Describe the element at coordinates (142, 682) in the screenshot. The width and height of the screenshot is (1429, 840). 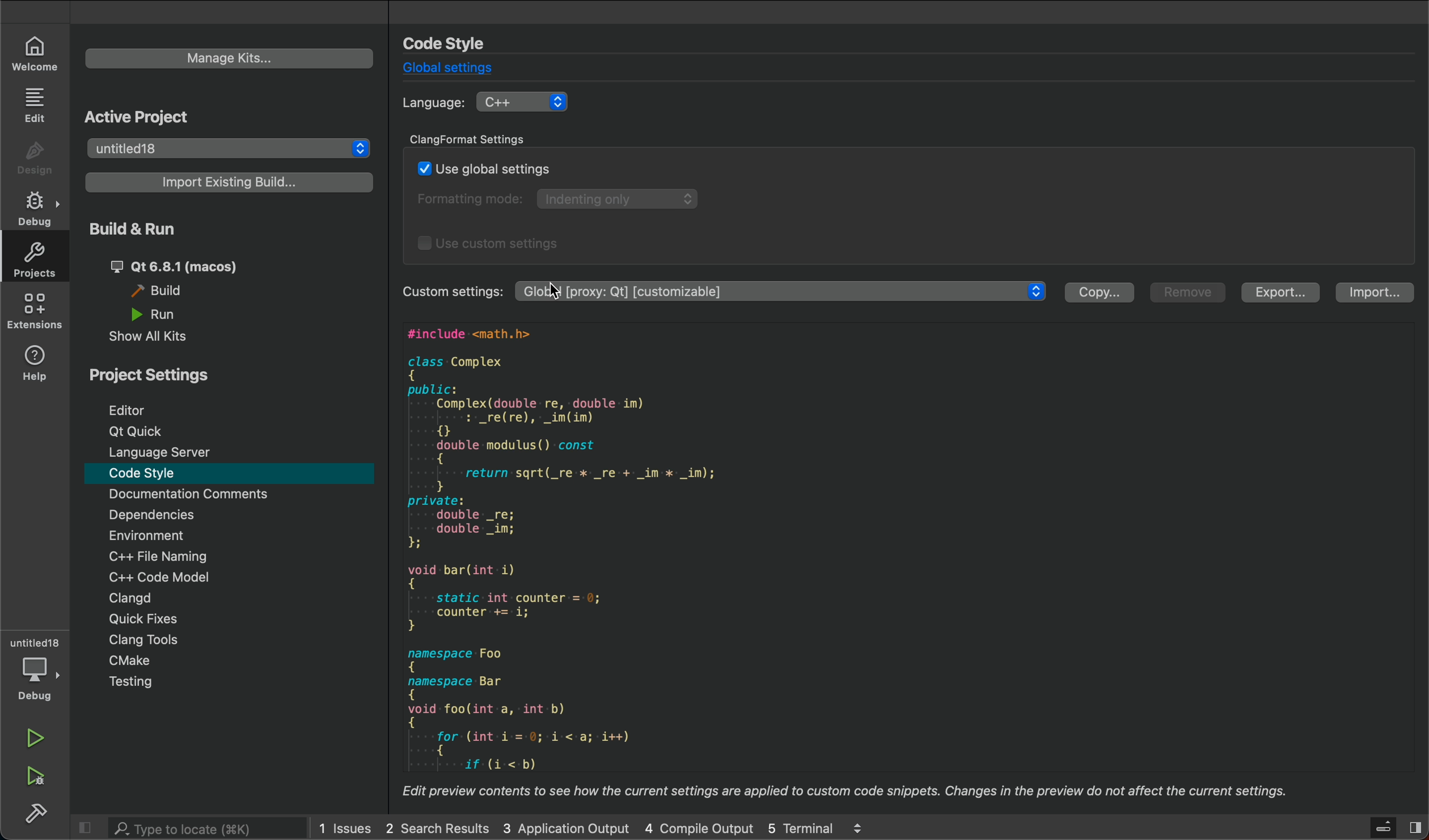
I see `Testing ` at that location.